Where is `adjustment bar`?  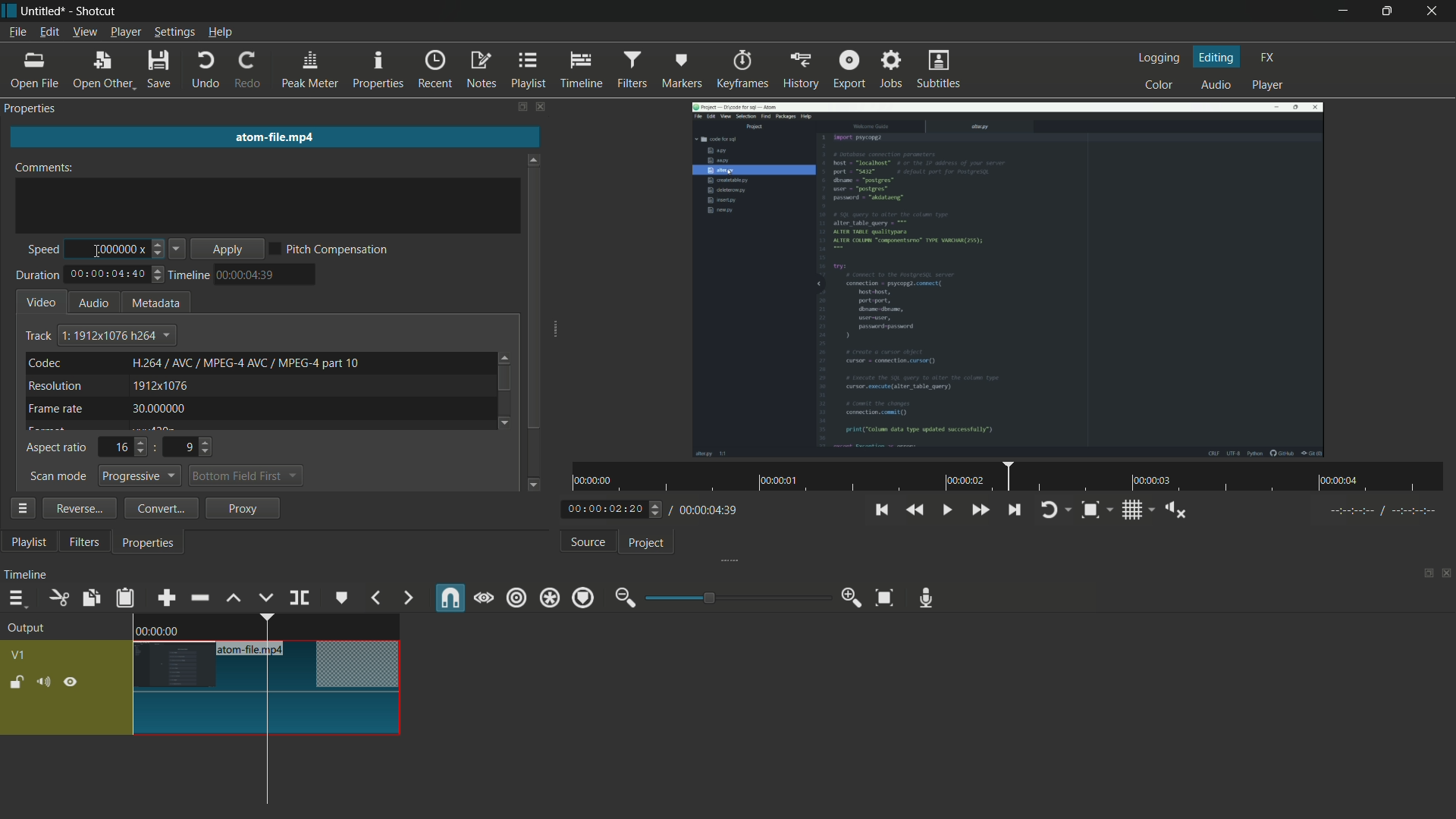
adjustment bar is located at coordinates (736, 596).